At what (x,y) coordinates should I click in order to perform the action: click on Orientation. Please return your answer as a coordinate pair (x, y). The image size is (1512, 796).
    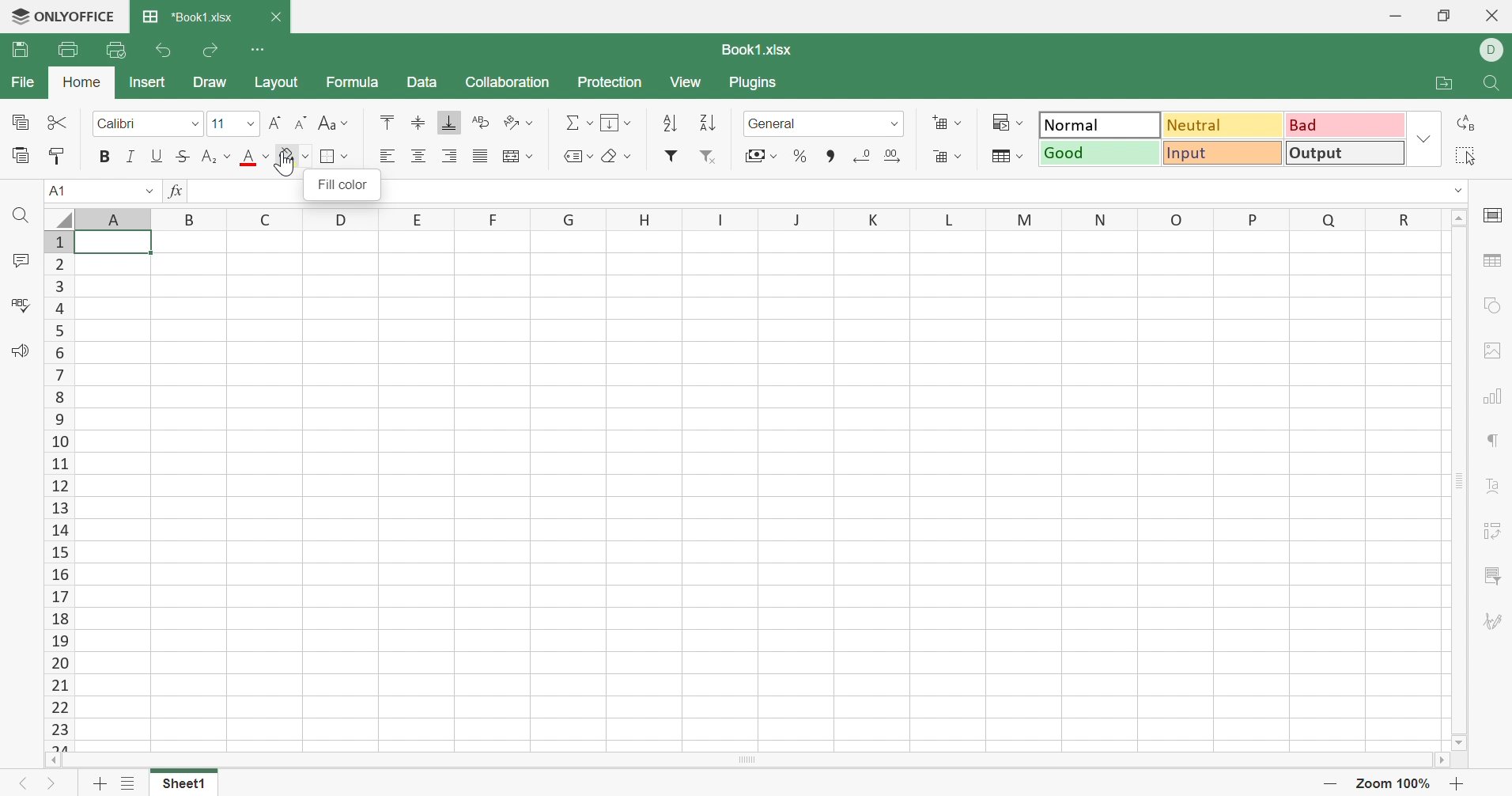
    Looking at the image, I should click on (517, 123).